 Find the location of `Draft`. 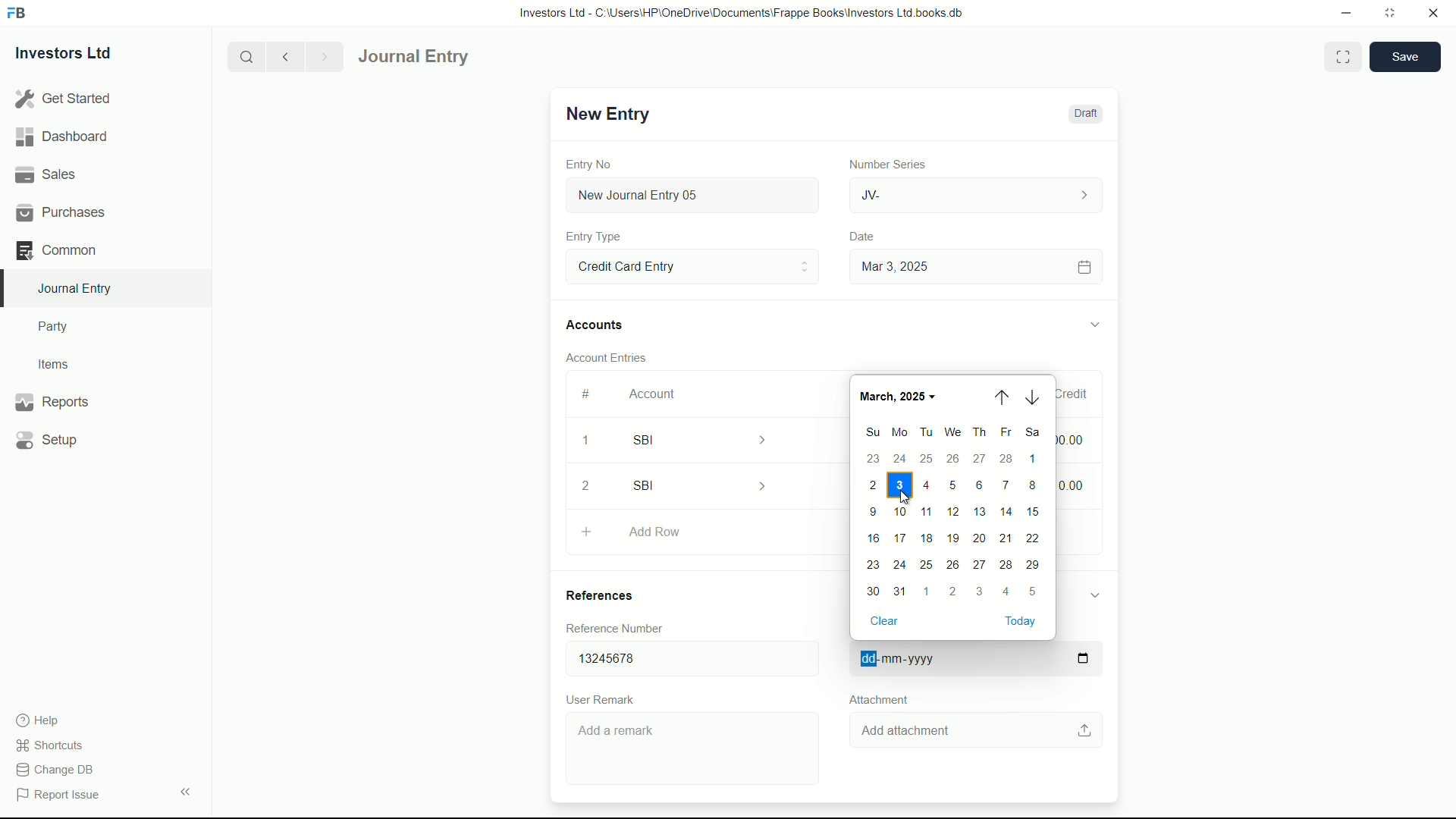

Draft is located at coordinates (1084, 114).